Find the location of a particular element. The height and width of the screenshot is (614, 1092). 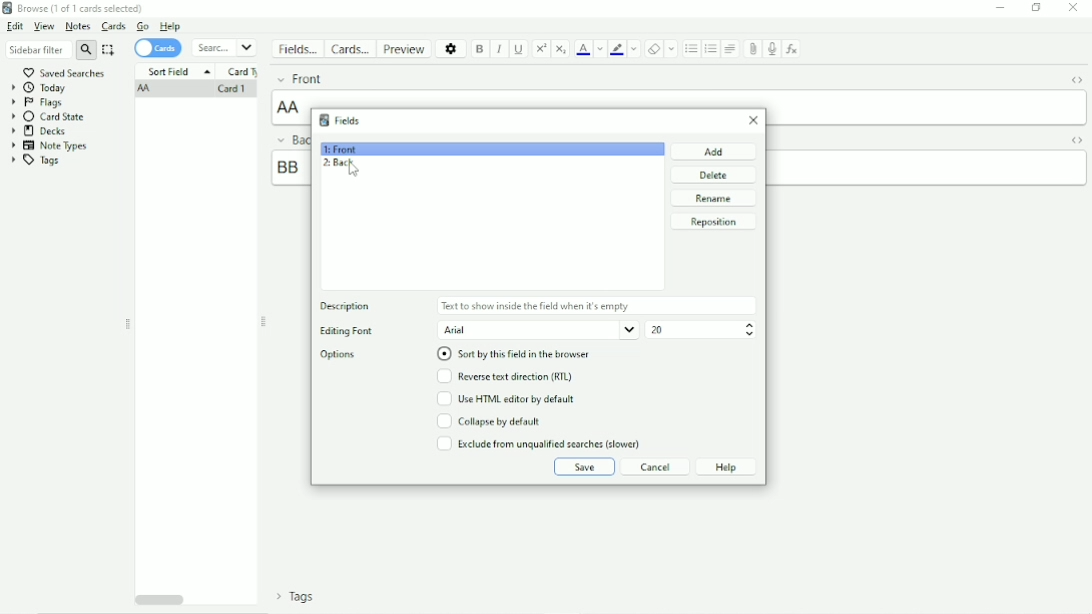

Subscript is located at coordinates (561, 49).